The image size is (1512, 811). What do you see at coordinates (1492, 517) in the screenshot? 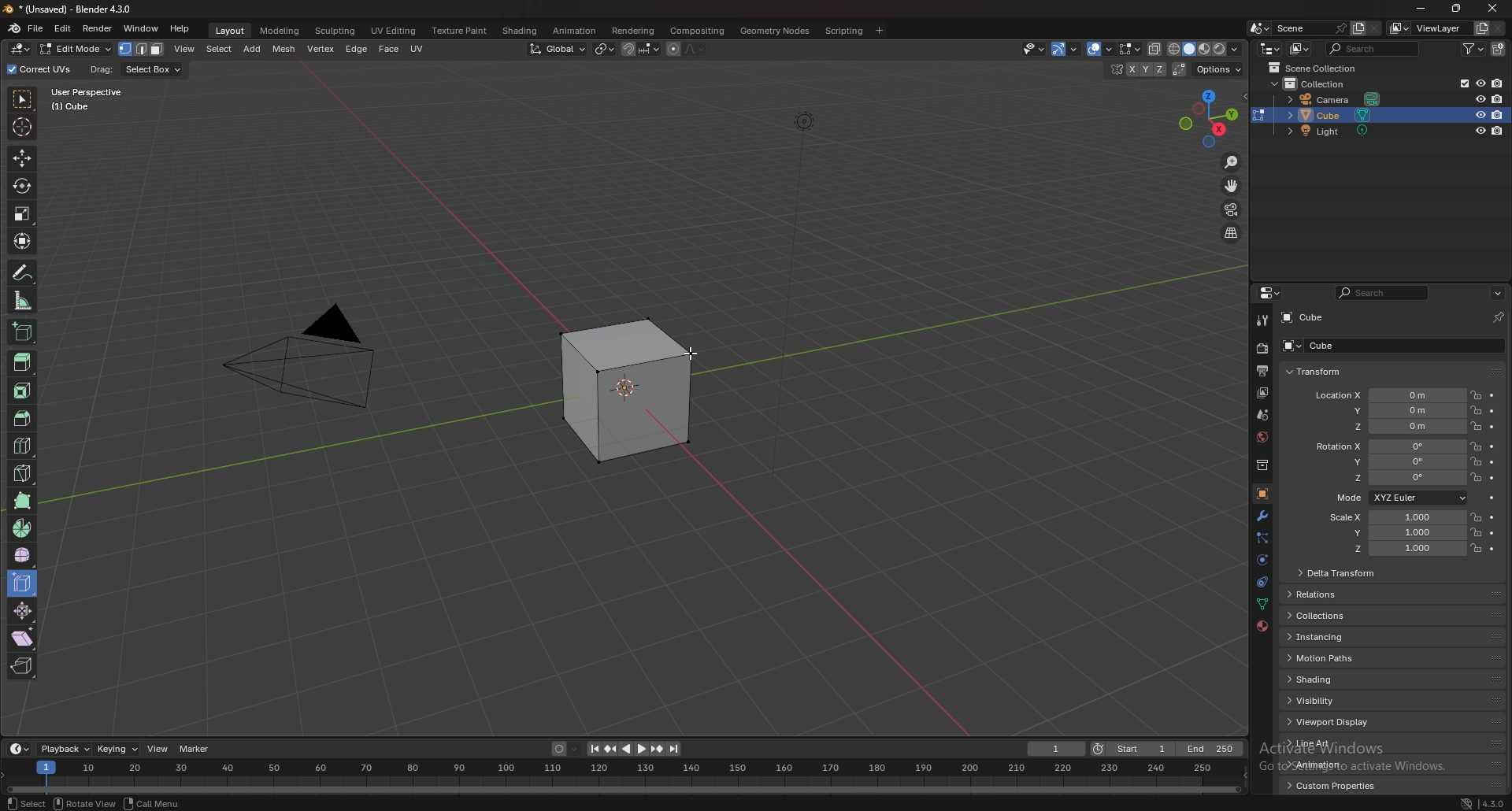
I see `animate property` at bounding box center [1492, 517].